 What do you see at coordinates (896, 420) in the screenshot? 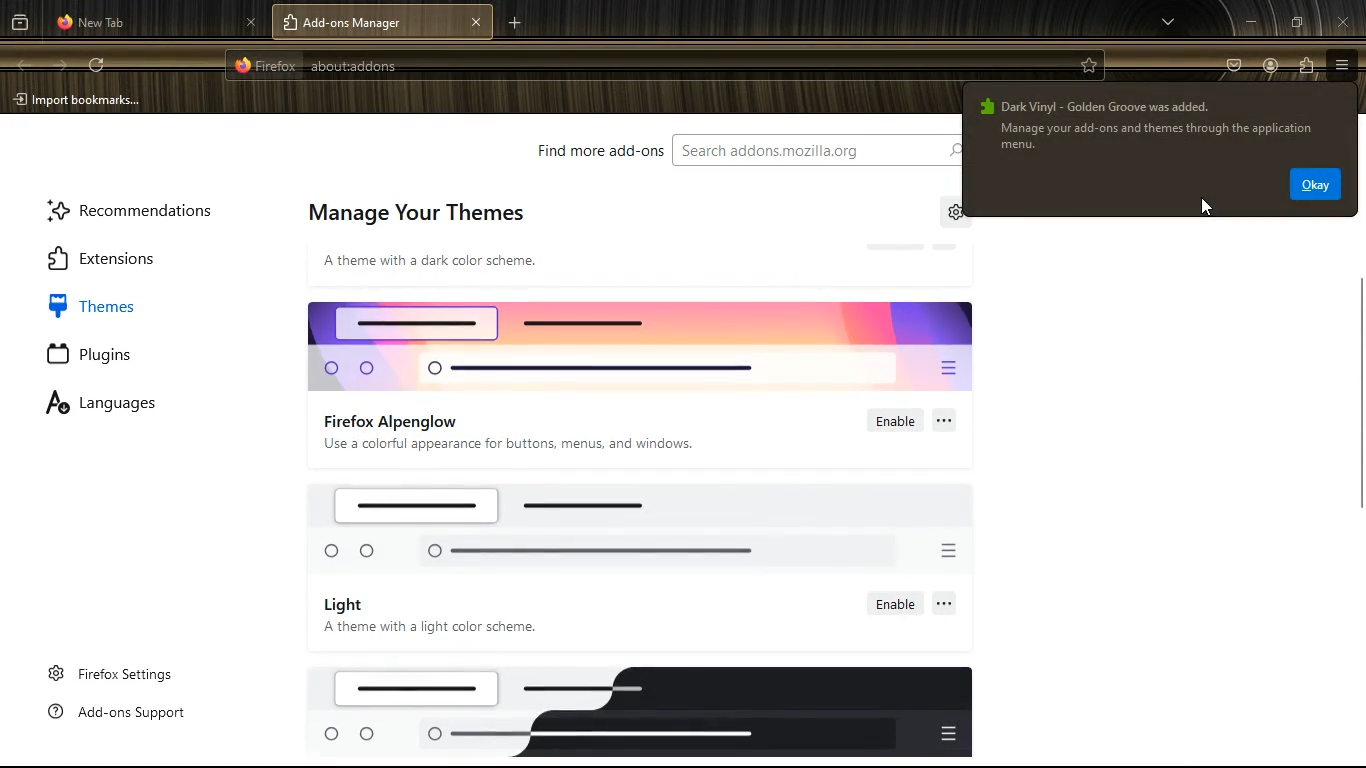
I see `enable` at bounding box center [896, 420].